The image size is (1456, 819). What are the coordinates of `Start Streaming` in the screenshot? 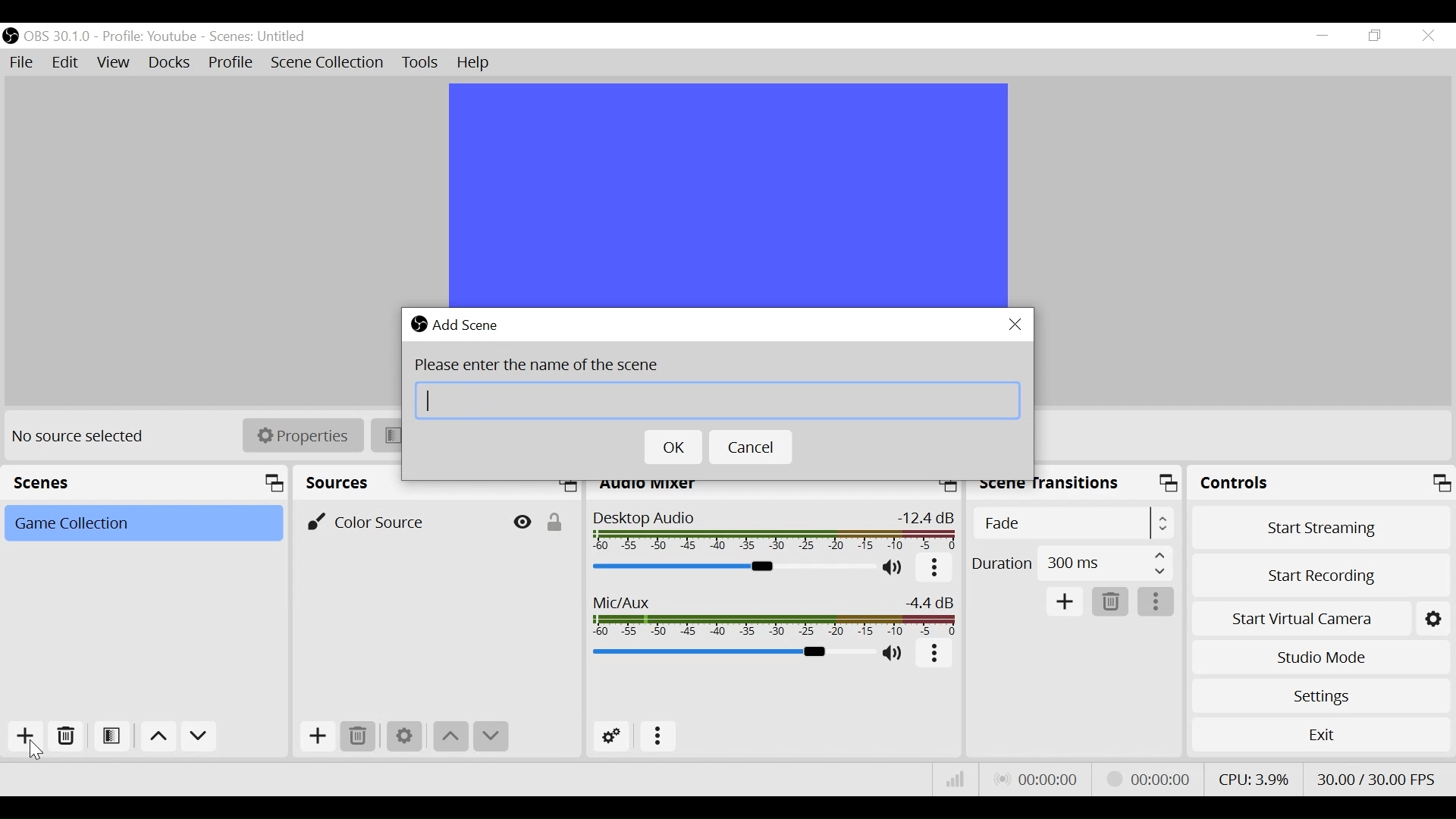 It's located at (1321, 524).